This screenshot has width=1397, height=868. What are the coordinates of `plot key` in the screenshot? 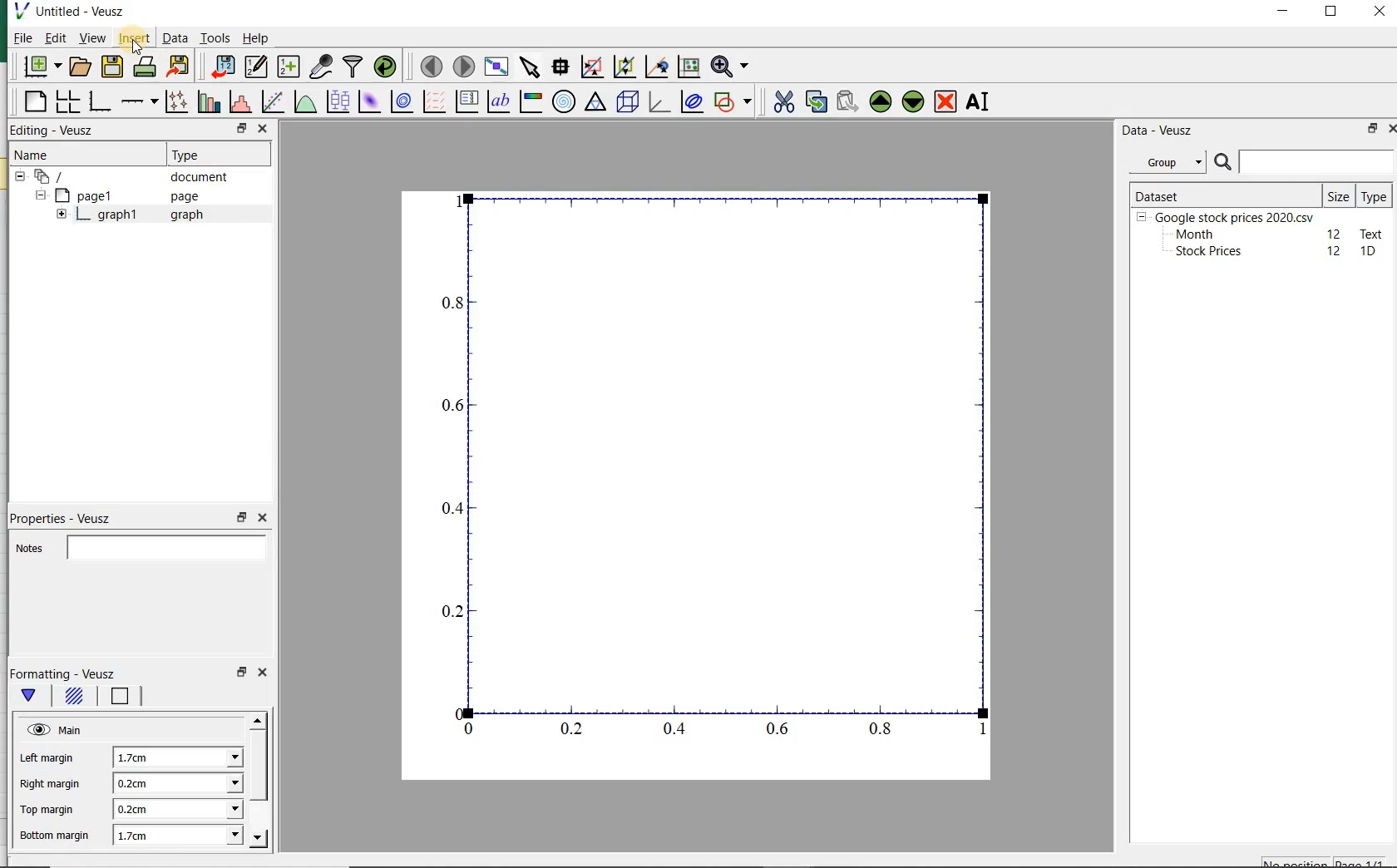 It's located at (466, 103).